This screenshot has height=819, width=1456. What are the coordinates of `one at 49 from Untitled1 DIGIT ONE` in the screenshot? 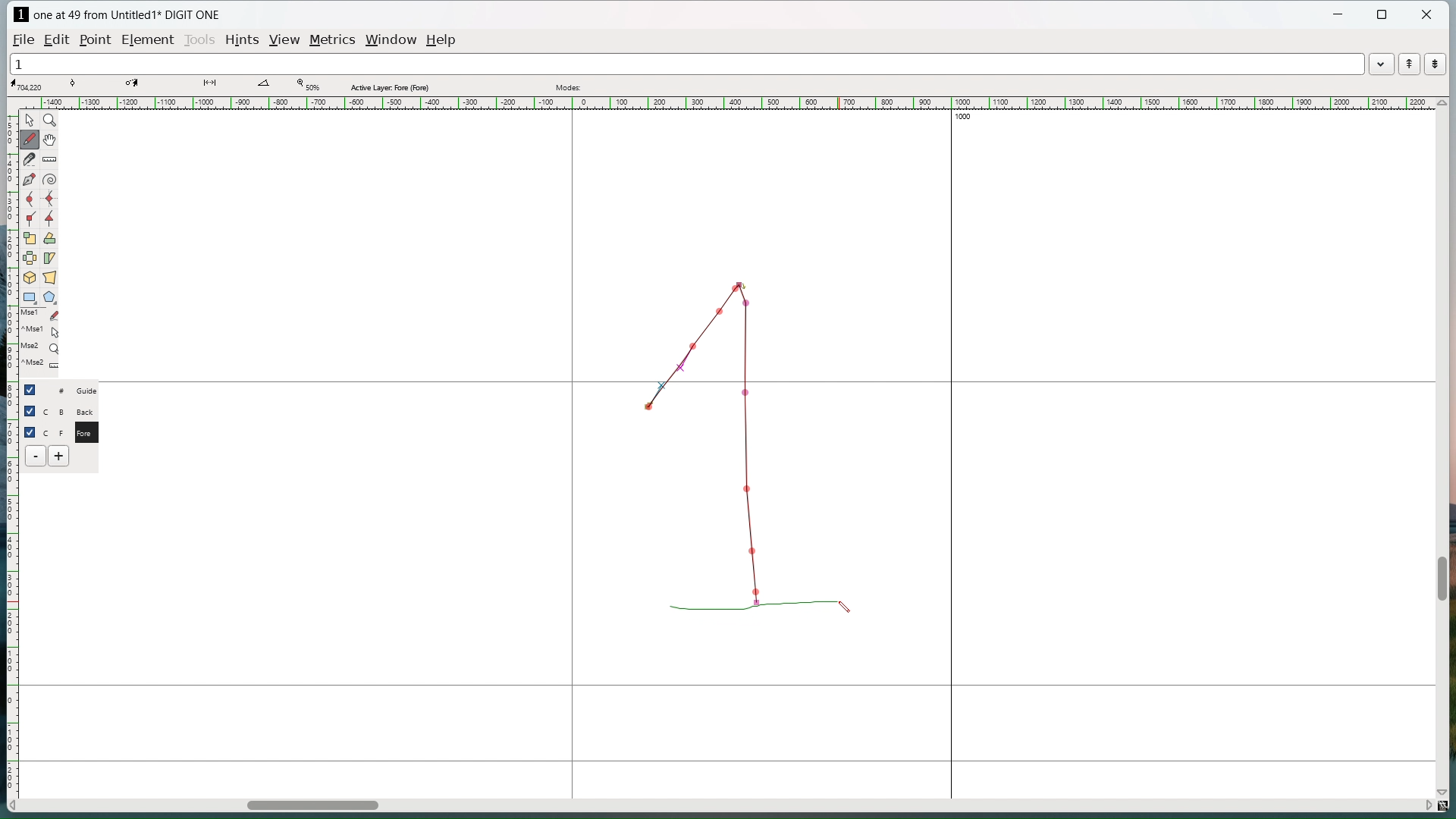 It's located at (126, 15).